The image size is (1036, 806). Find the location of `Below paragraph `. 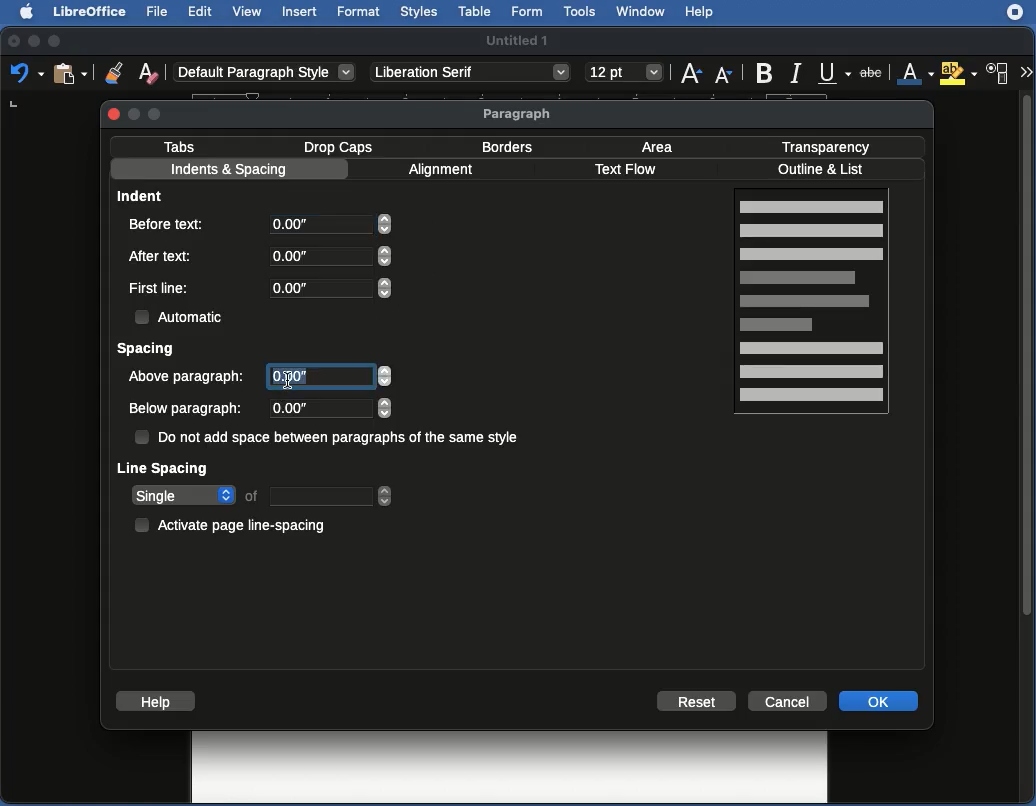

Below paragraph  is located at coordinates (186, 409).